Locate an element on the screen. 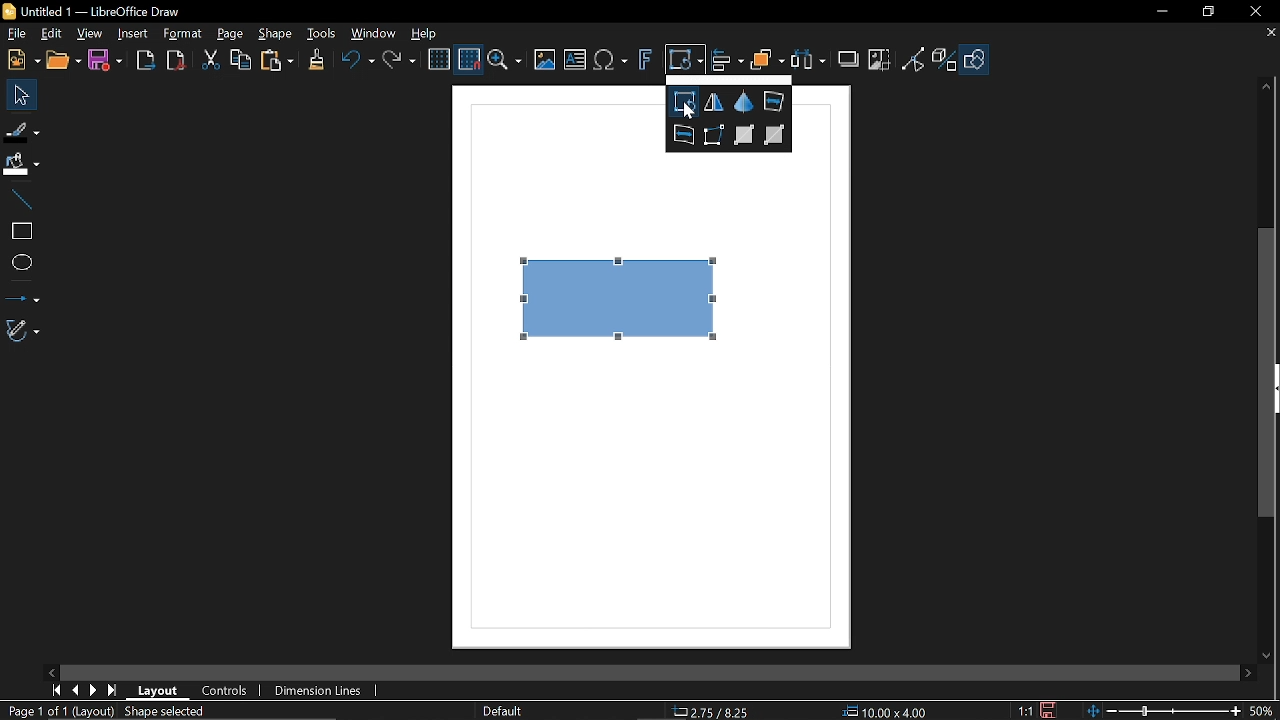 This screenshot has height=720, width=1280. Shape selected is located at coordinates (182, 711).